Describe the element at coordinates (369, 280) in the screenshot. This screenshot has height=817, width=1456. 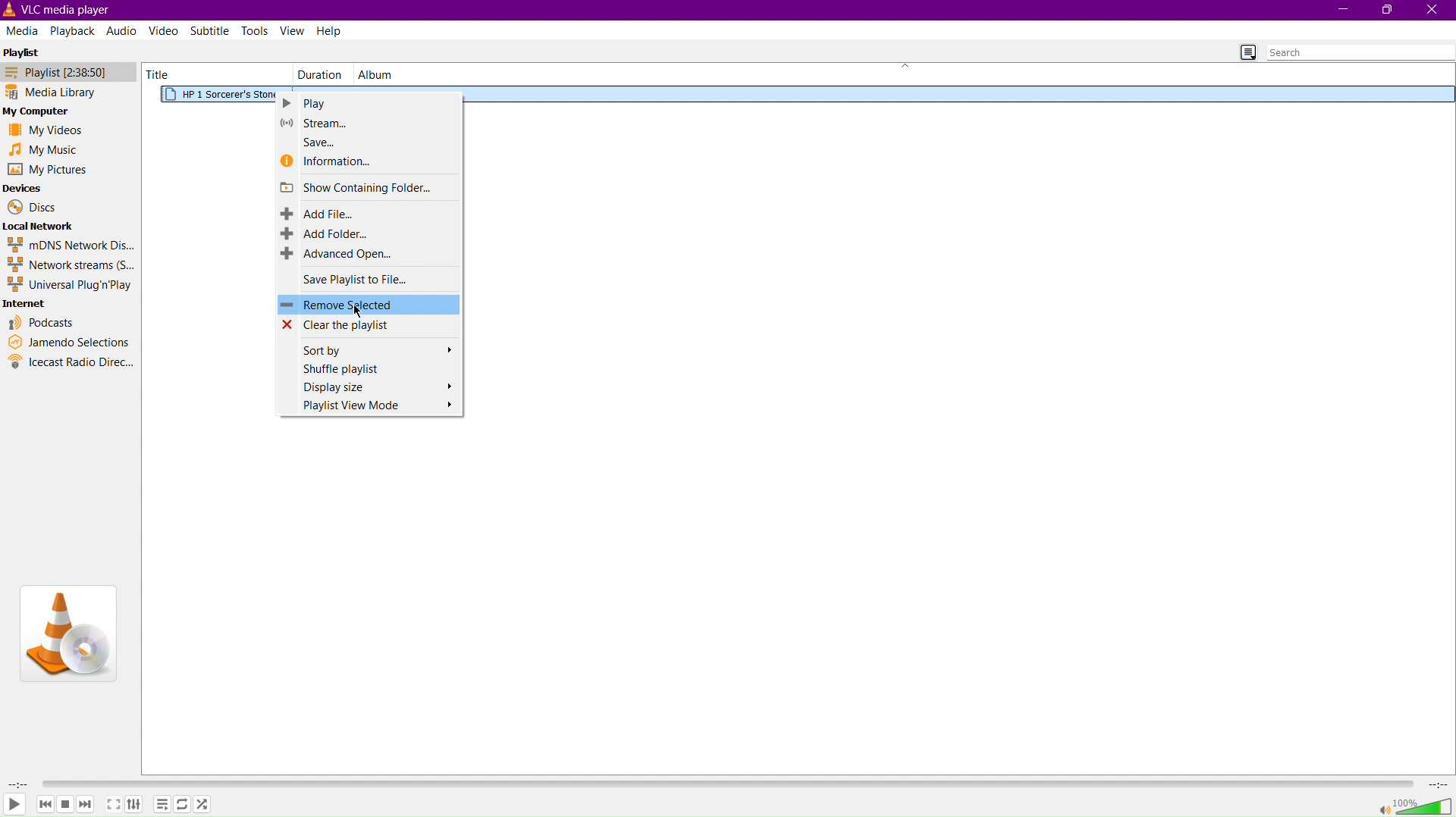
I see `Save Playlist to File...` at that location.